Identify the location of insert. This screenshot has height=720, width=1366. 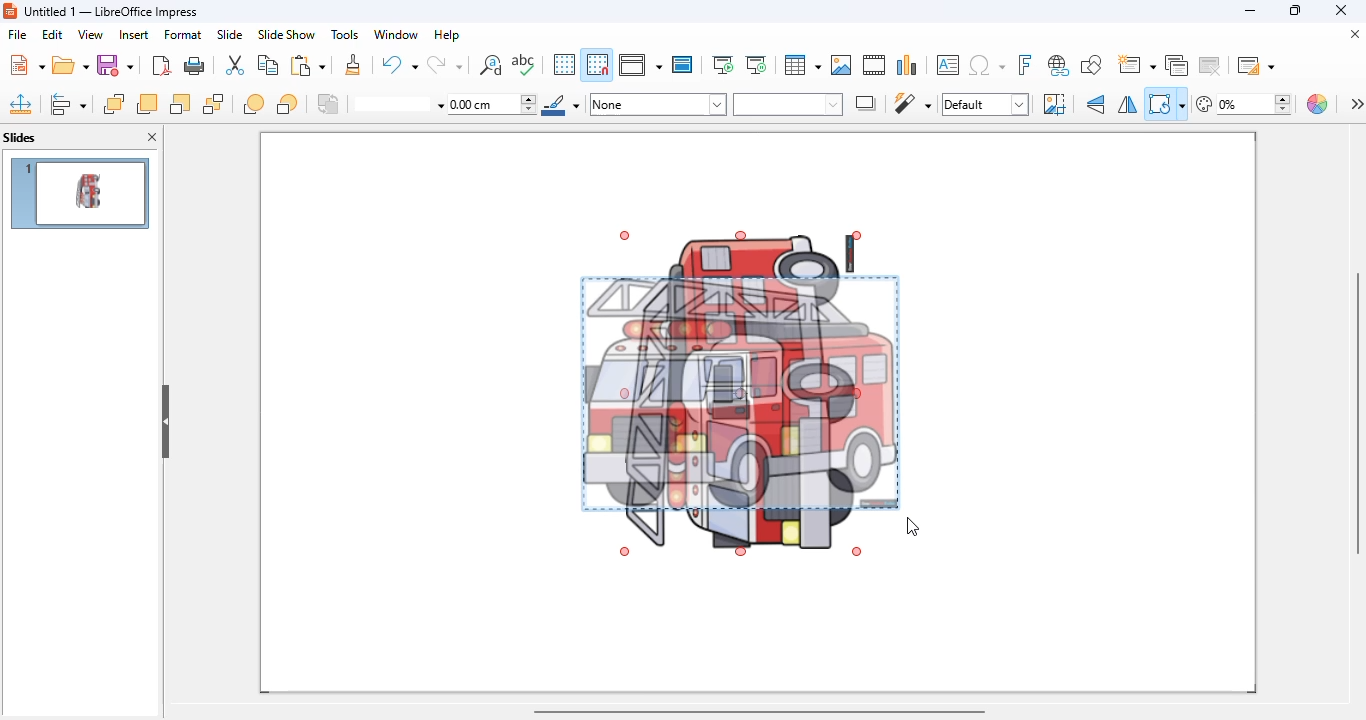
(134, 35).